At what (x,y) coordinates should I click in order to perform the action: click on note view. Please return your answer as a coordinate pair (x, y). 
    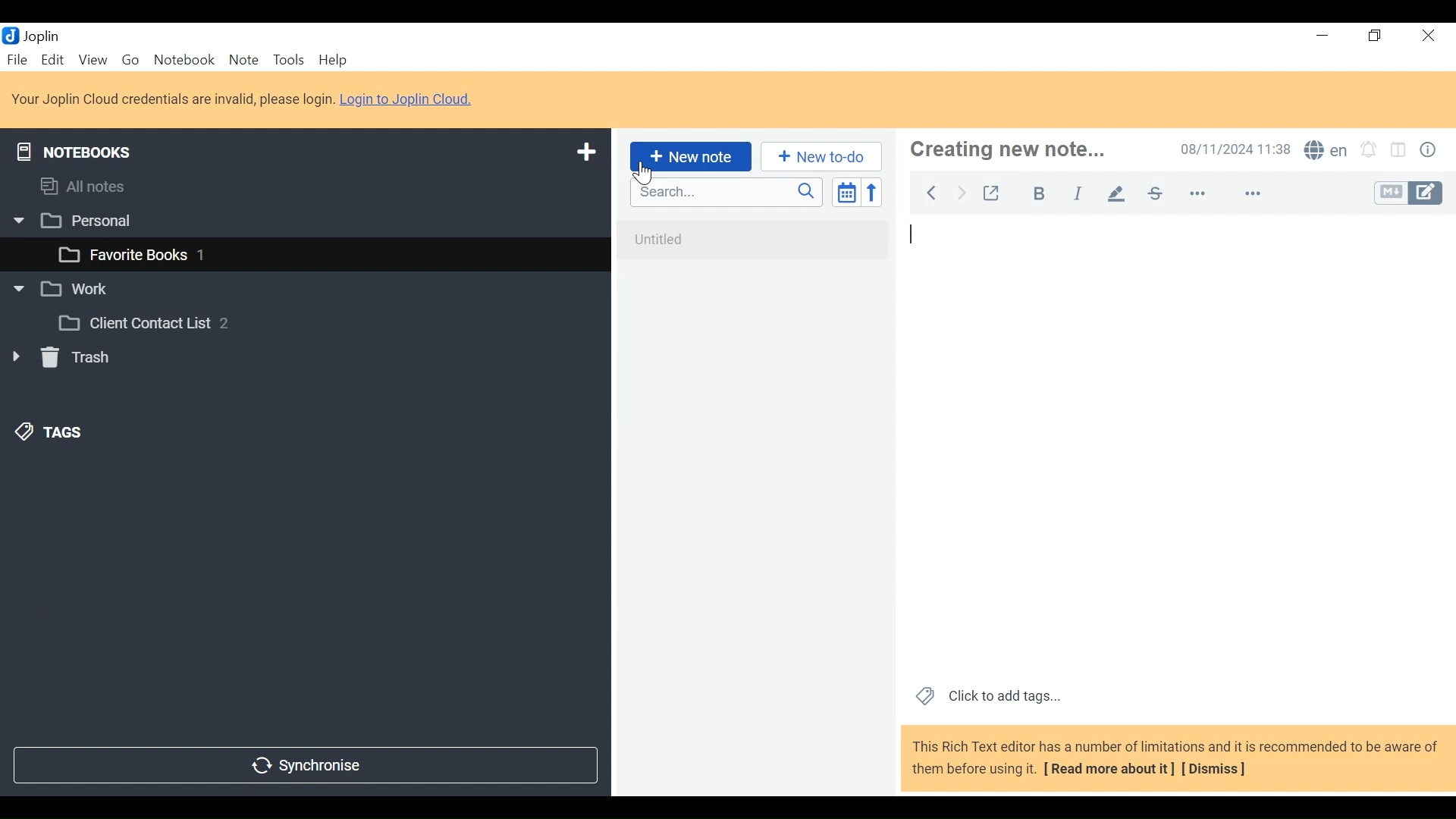
    Looking at the image, I should click on (1174, 421).